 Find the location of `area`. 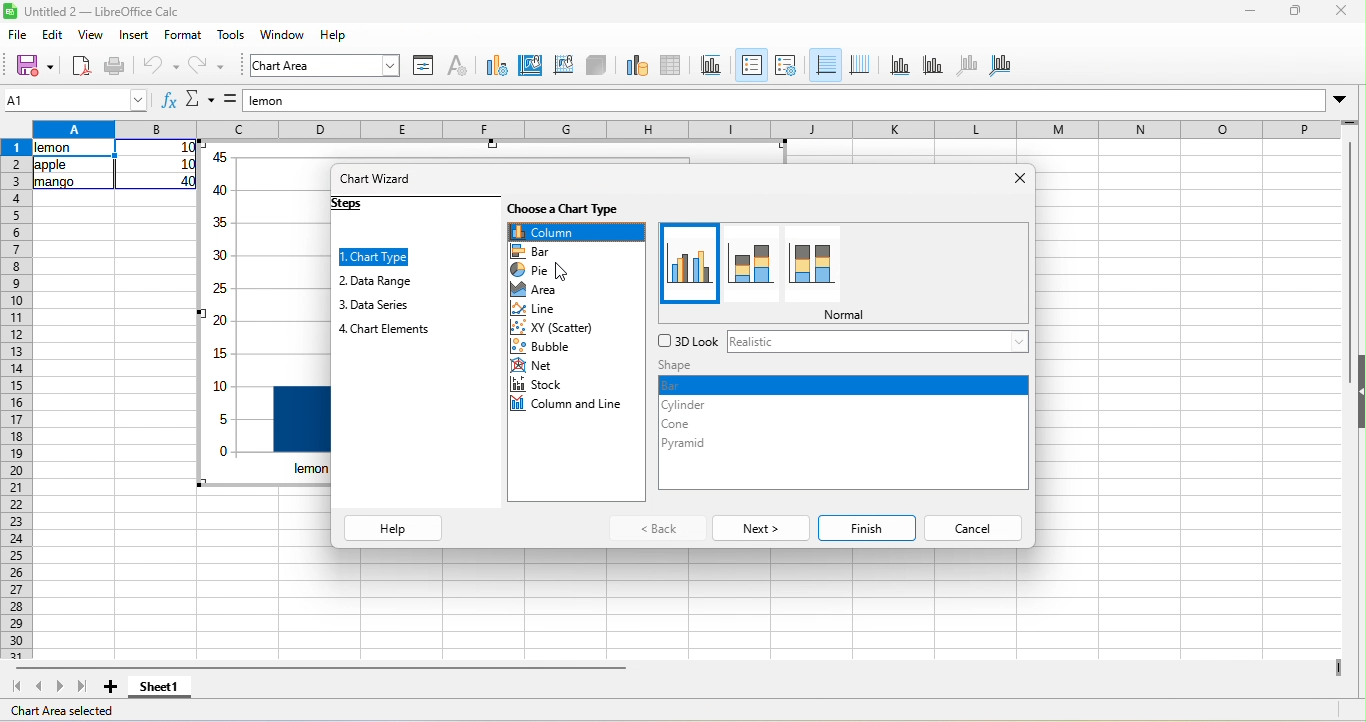

area is located at coordinates (543, 290).